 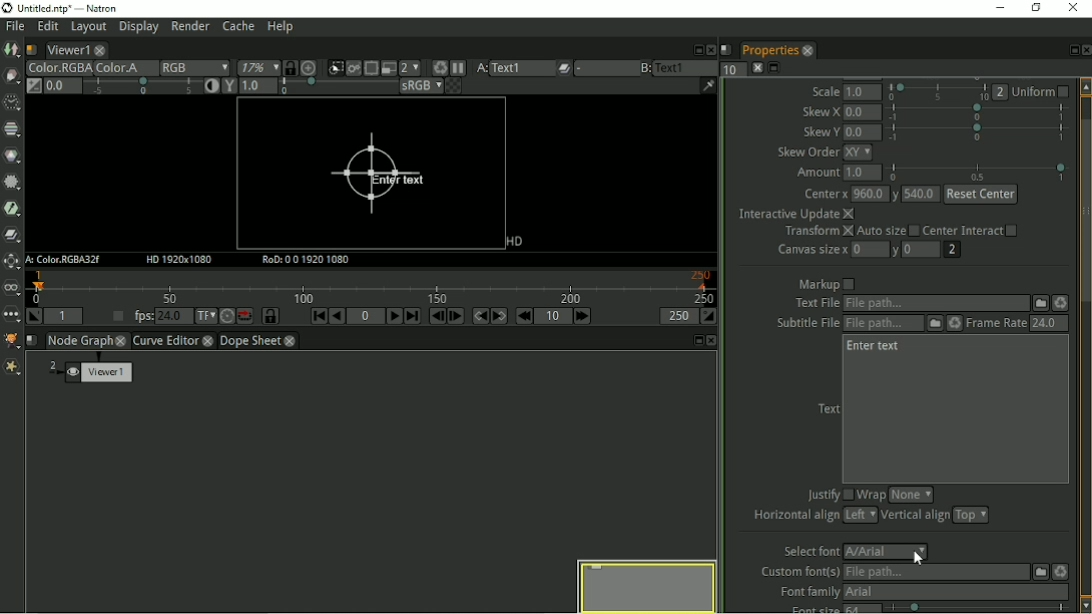 What do you see at coordinates (226, 317) in the screenshot?
I see `Turbo mode` at bounding box center [226, 317].